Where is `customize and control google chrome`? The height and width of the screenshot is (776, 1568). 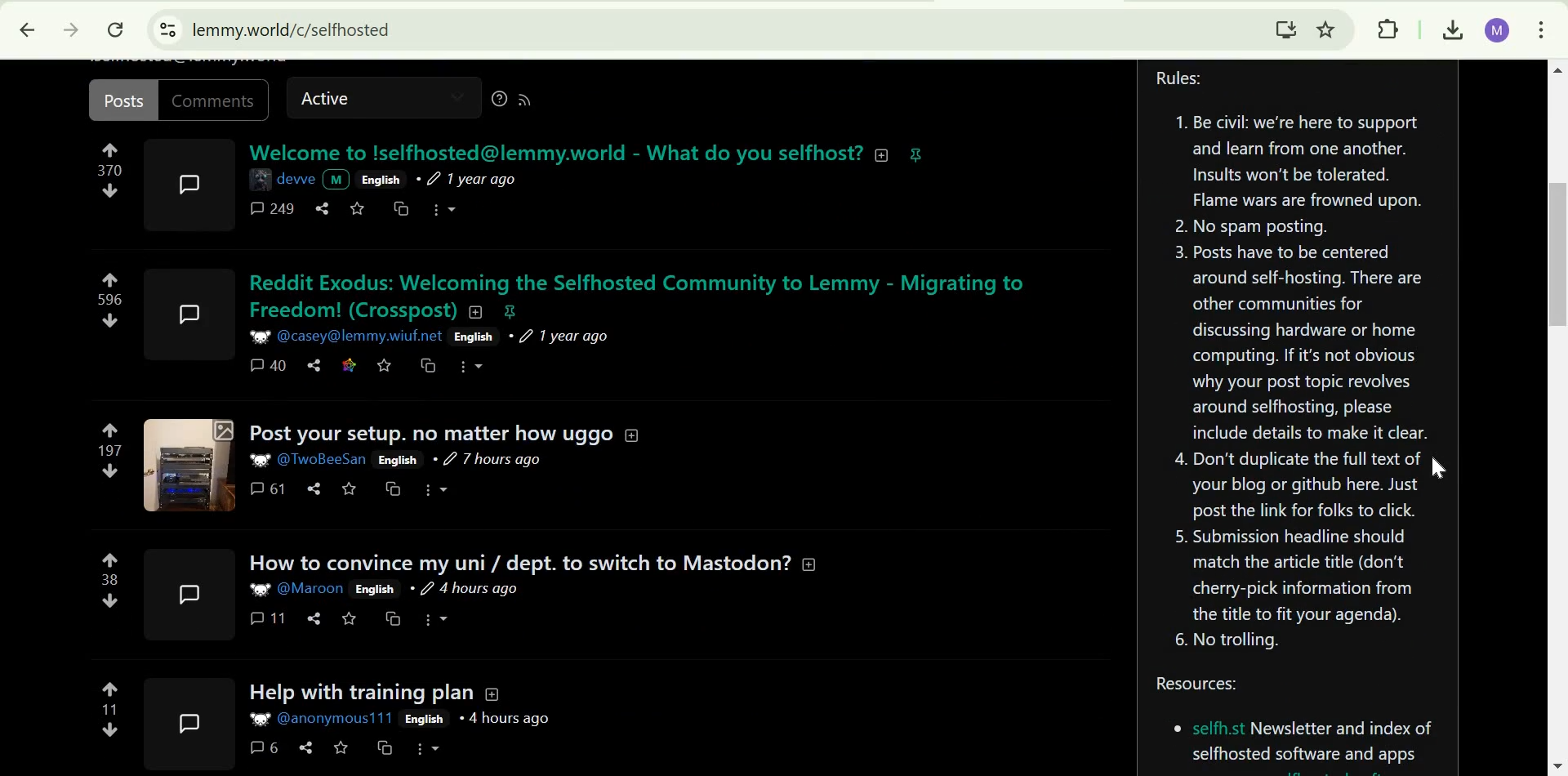 customize and control google chrome is located at coordinates (1543, 29).